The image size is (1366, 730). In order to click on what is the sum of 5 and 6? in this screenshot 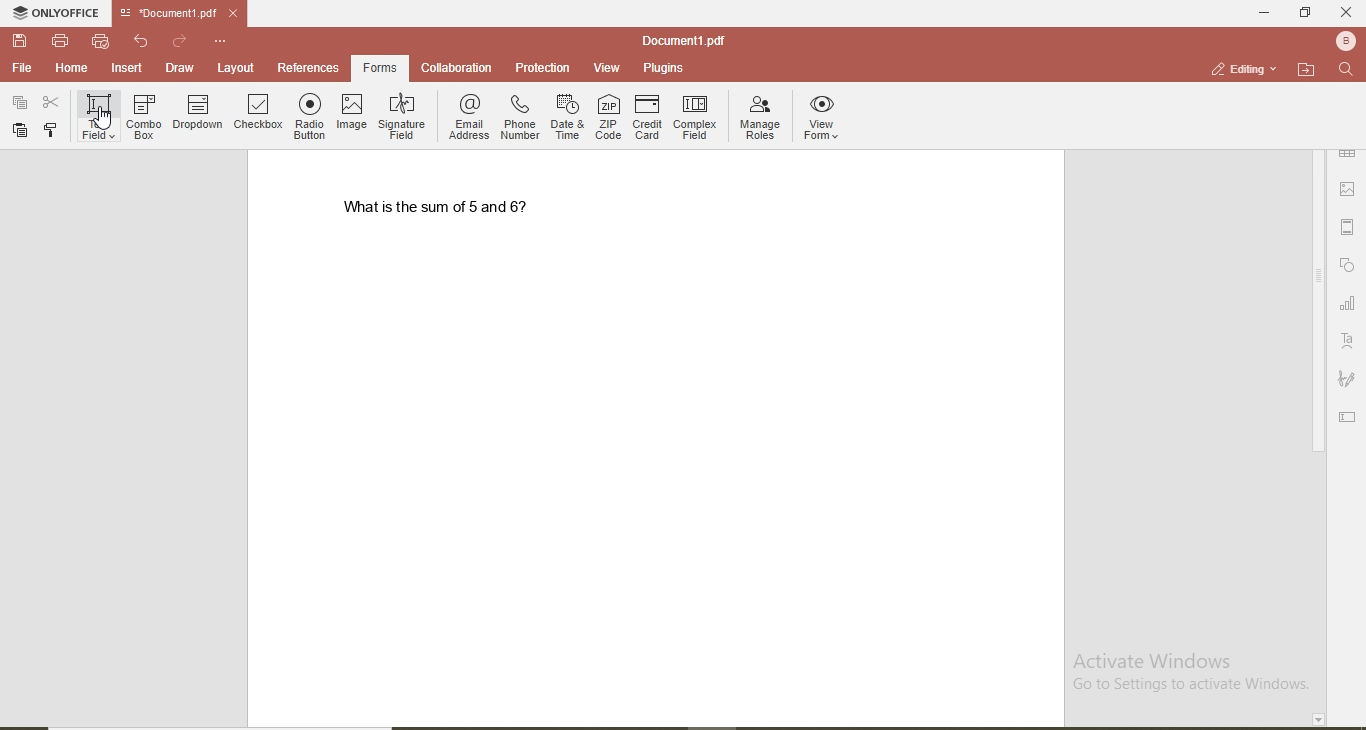, I will do `click(438, 209)`.